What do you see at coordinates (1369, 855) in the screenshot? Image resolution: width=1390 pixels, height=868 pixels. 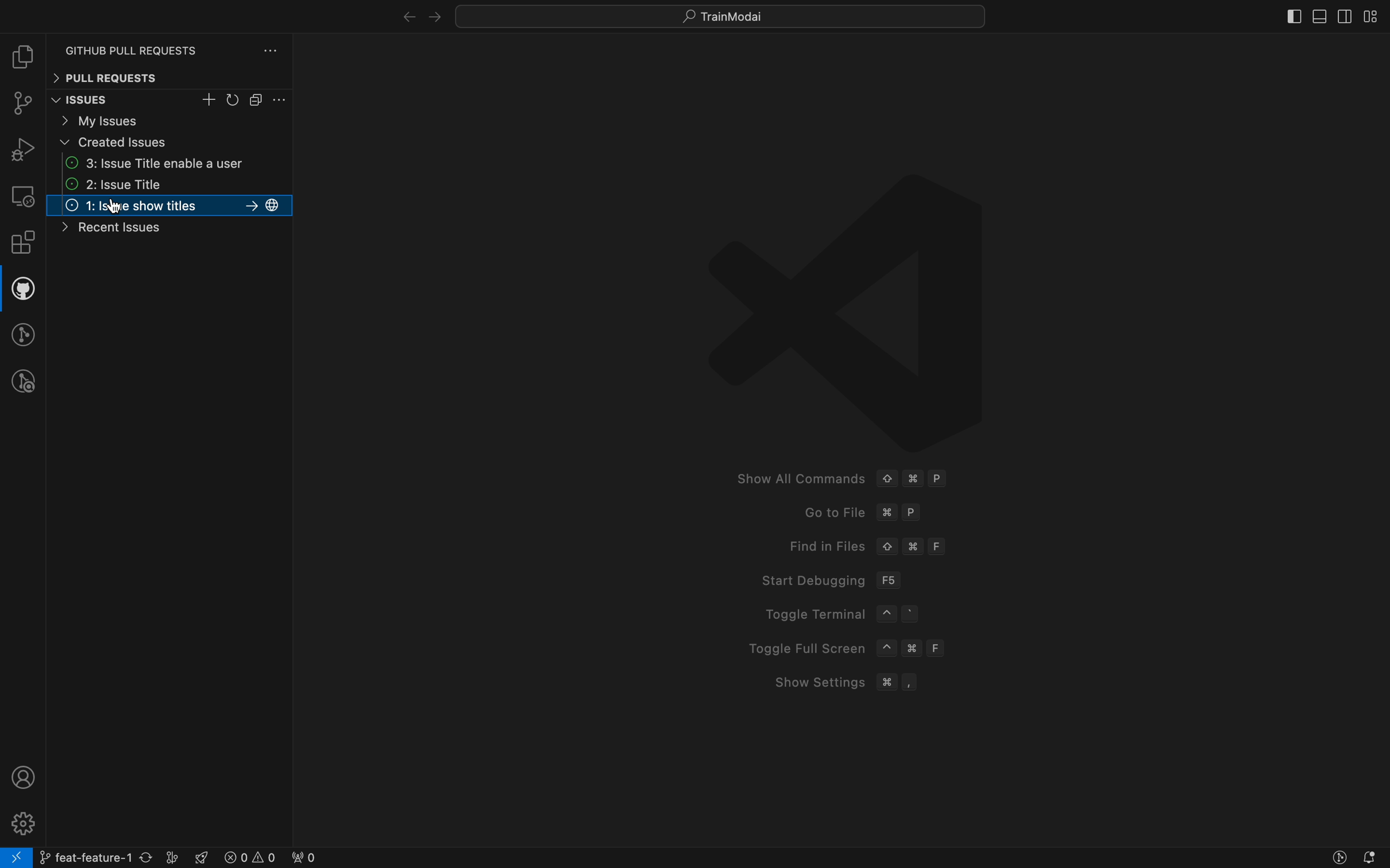 I see `notificatons` at bounding box center [1369, 855].